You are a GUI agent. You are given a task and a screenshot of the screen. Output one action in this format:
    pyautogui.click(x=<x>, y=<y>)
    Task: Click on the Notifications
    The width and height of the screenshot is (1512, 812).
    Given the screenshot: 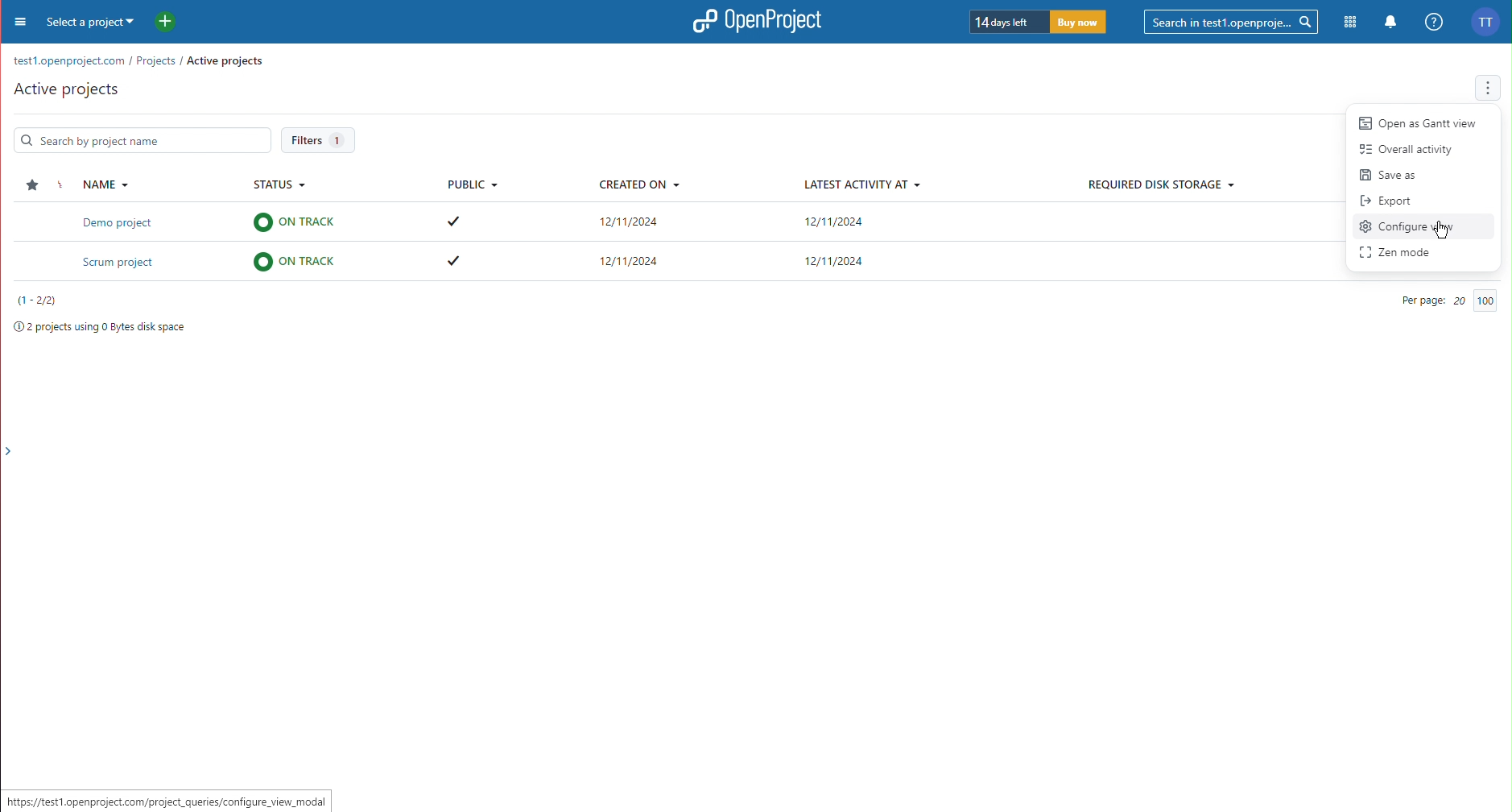 What is the action you would take?
    pyautogui.click(x=1389, y=23)
    